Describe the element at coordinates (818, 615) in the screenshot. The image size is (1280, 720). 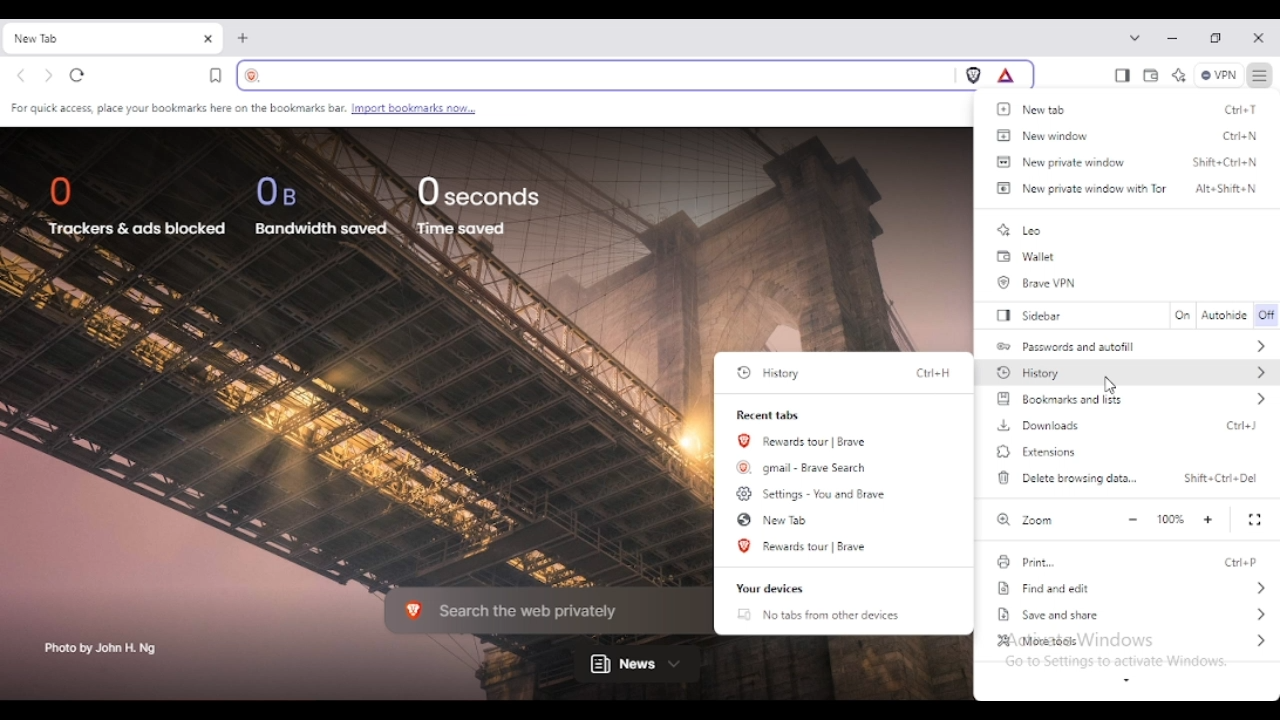
I see `no tabs from other devices` at that location.